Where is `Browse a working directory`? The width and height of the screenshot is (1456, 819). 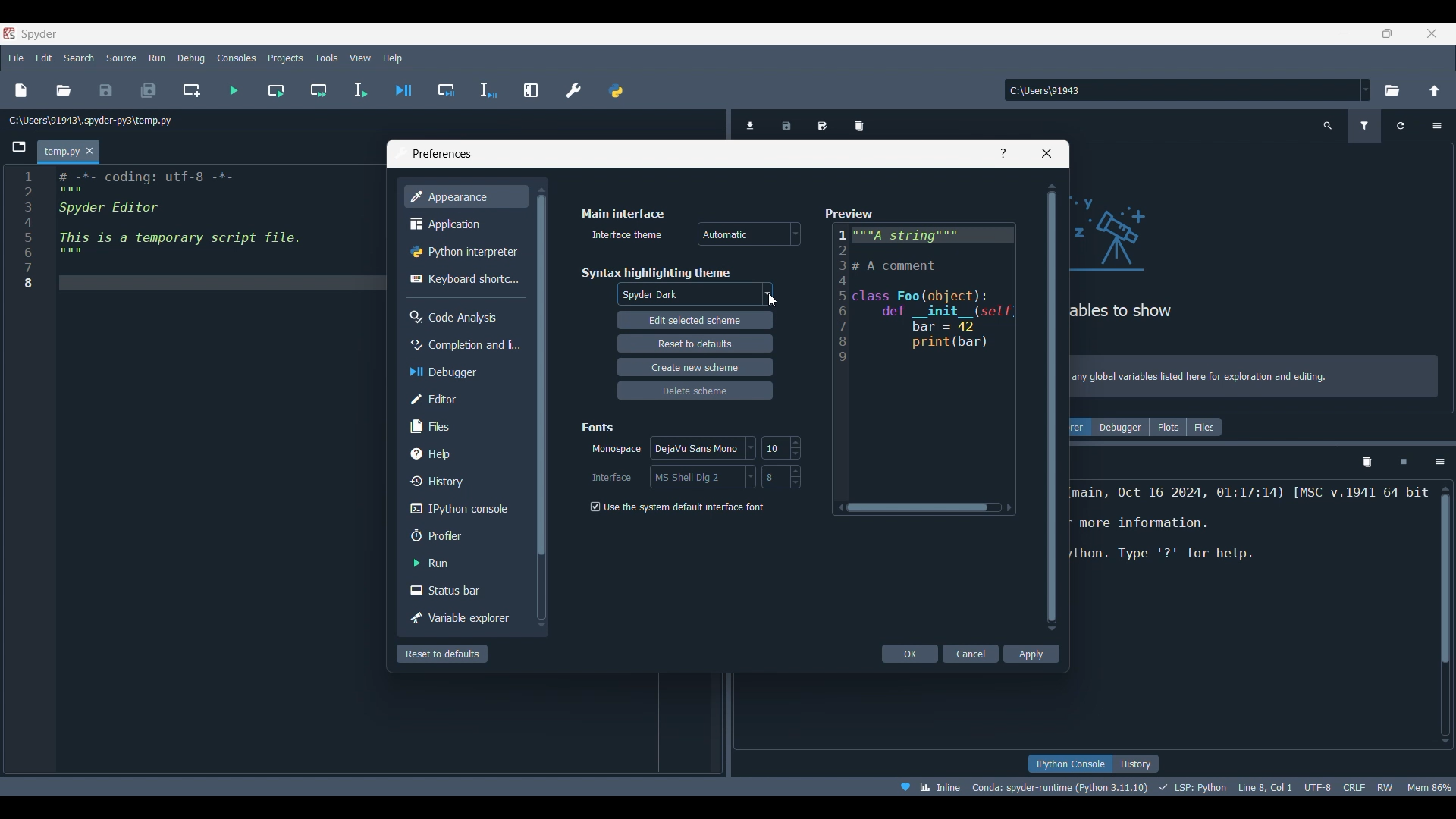 Browse a working directory is located at coordinates (1391, 90).